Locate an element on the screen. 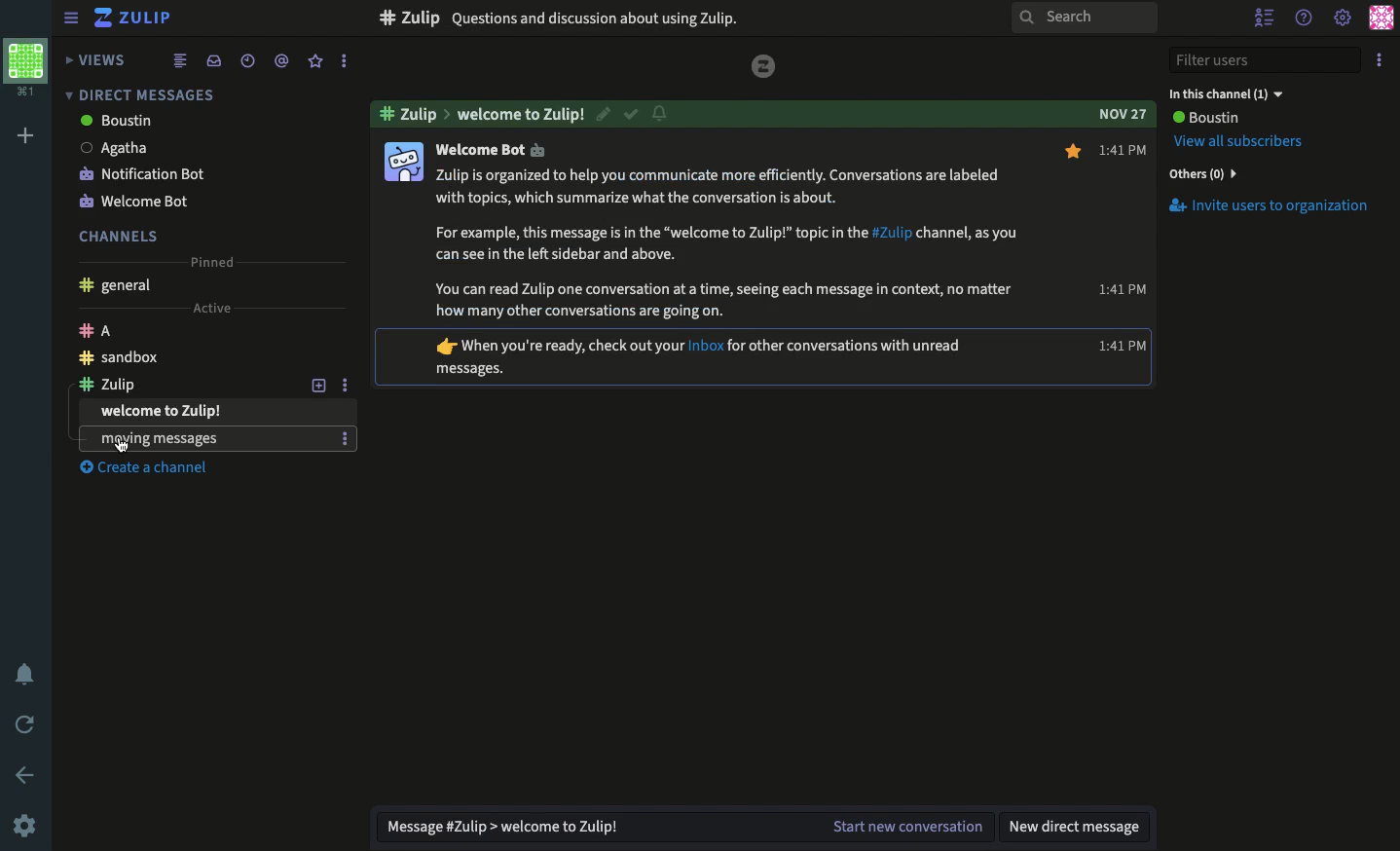  zulip logo is located at coordinates (764, 66).